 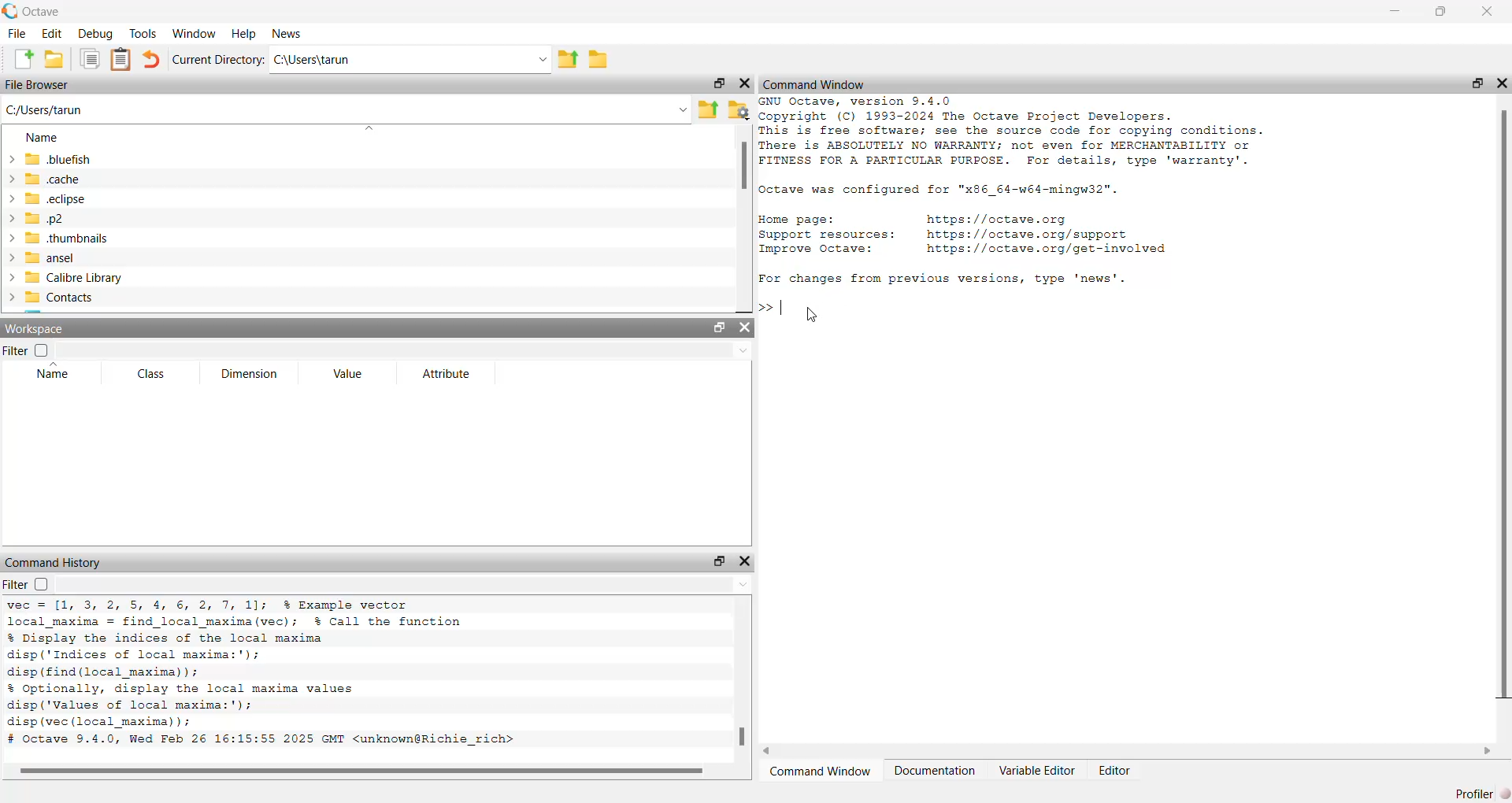 What do you see at coordinates (55, 373) in the screenshot?
I see `Name` at bounding box center [55, 373].